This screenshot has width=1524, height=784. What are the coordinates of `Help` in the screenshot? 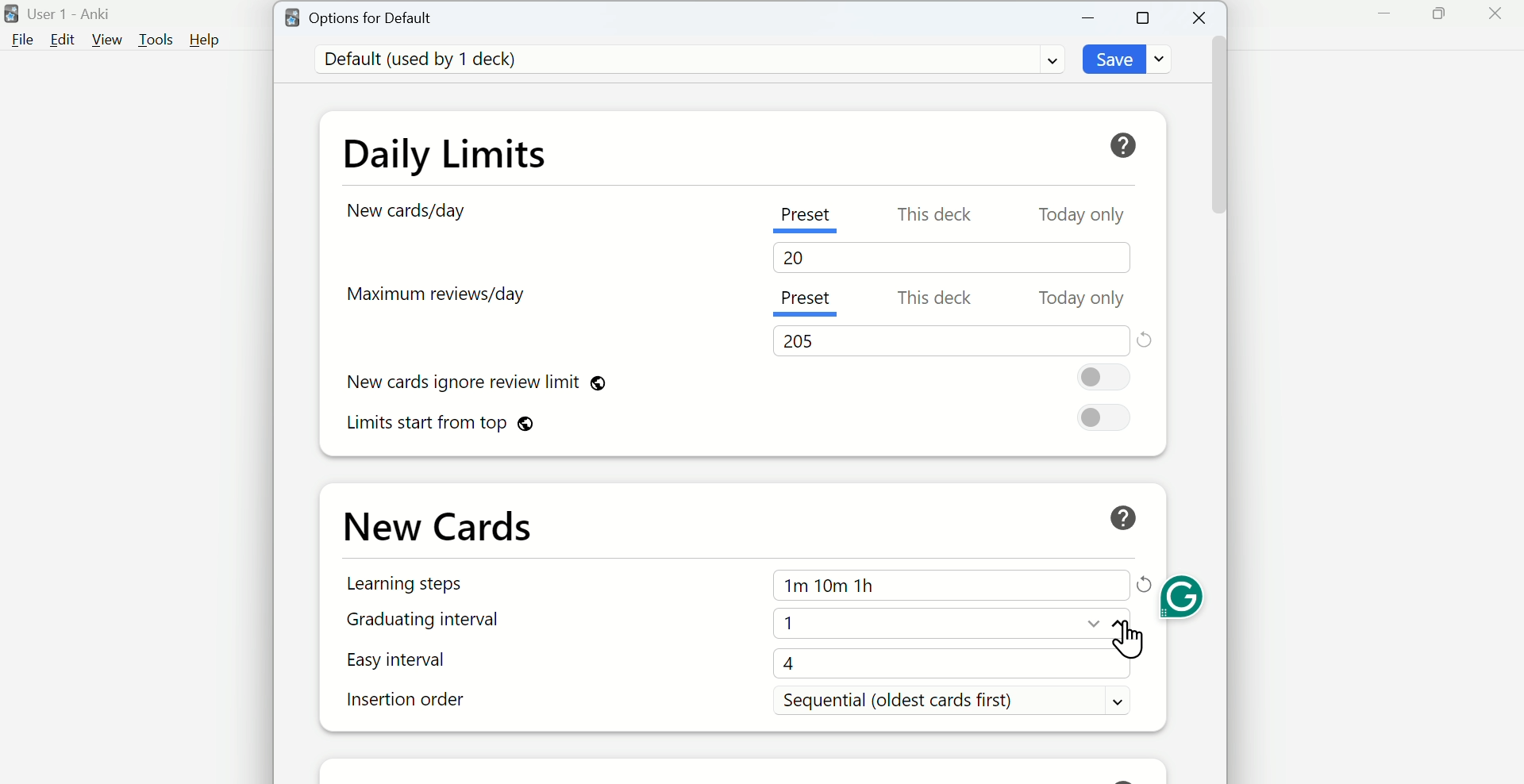 It's located at (202, 40).